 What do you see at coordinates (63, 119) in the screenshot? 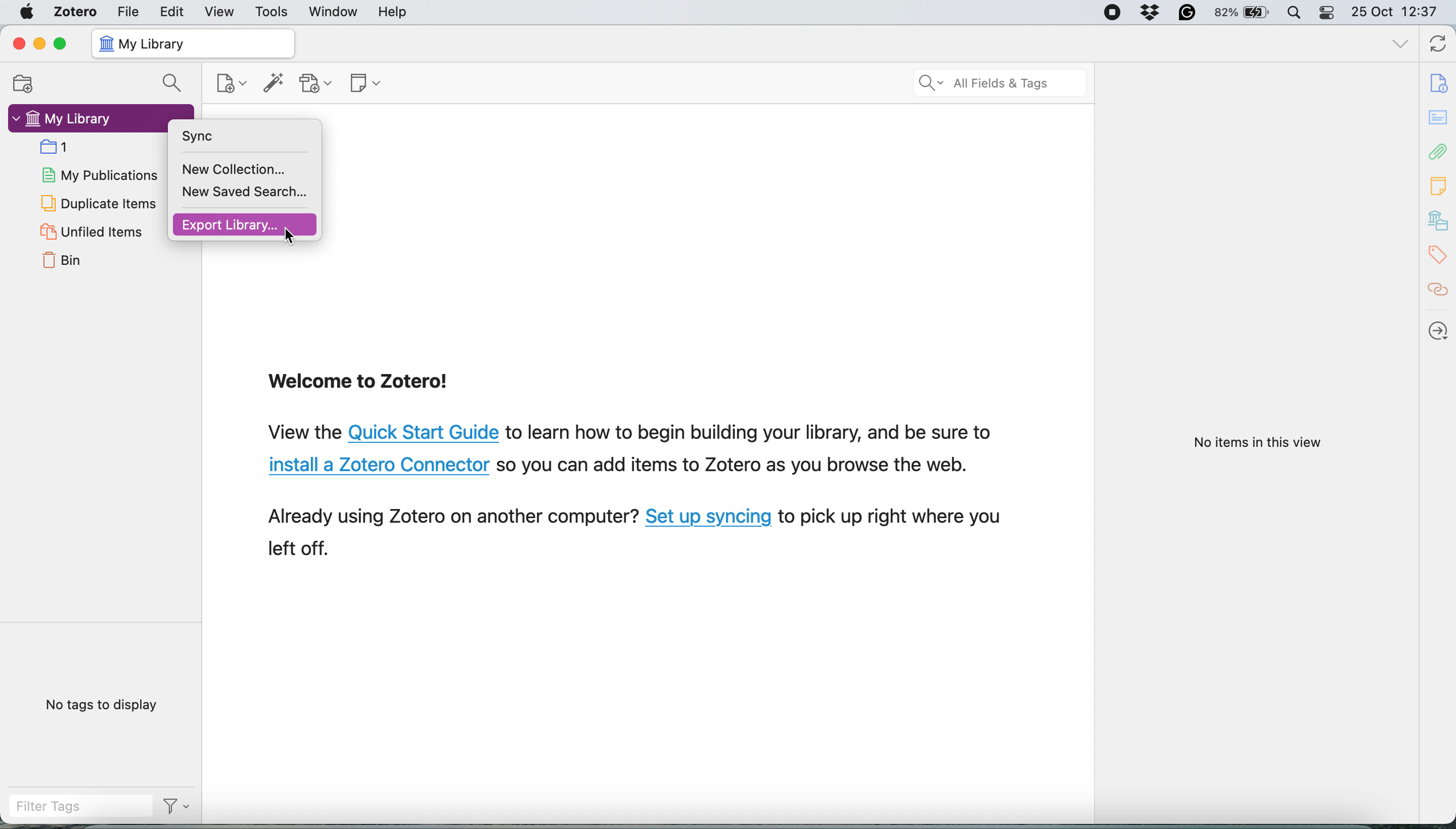
I see `my library` at bounding box center [63, 119].